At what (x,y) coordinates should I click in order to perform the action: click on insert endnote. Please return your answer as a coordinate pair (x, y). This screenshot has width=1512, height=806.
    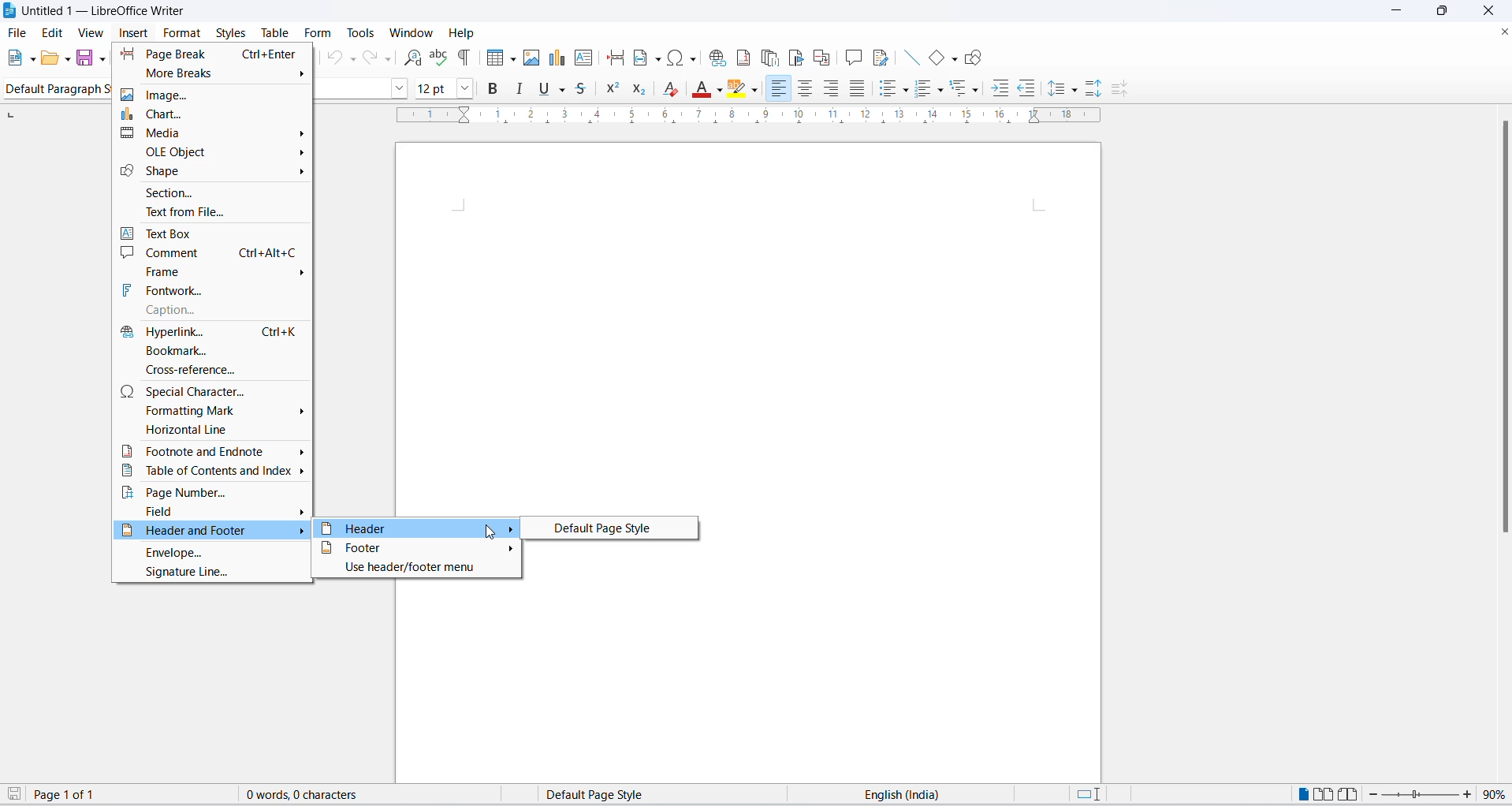
    Looking at the image, I should click on (769, 54).